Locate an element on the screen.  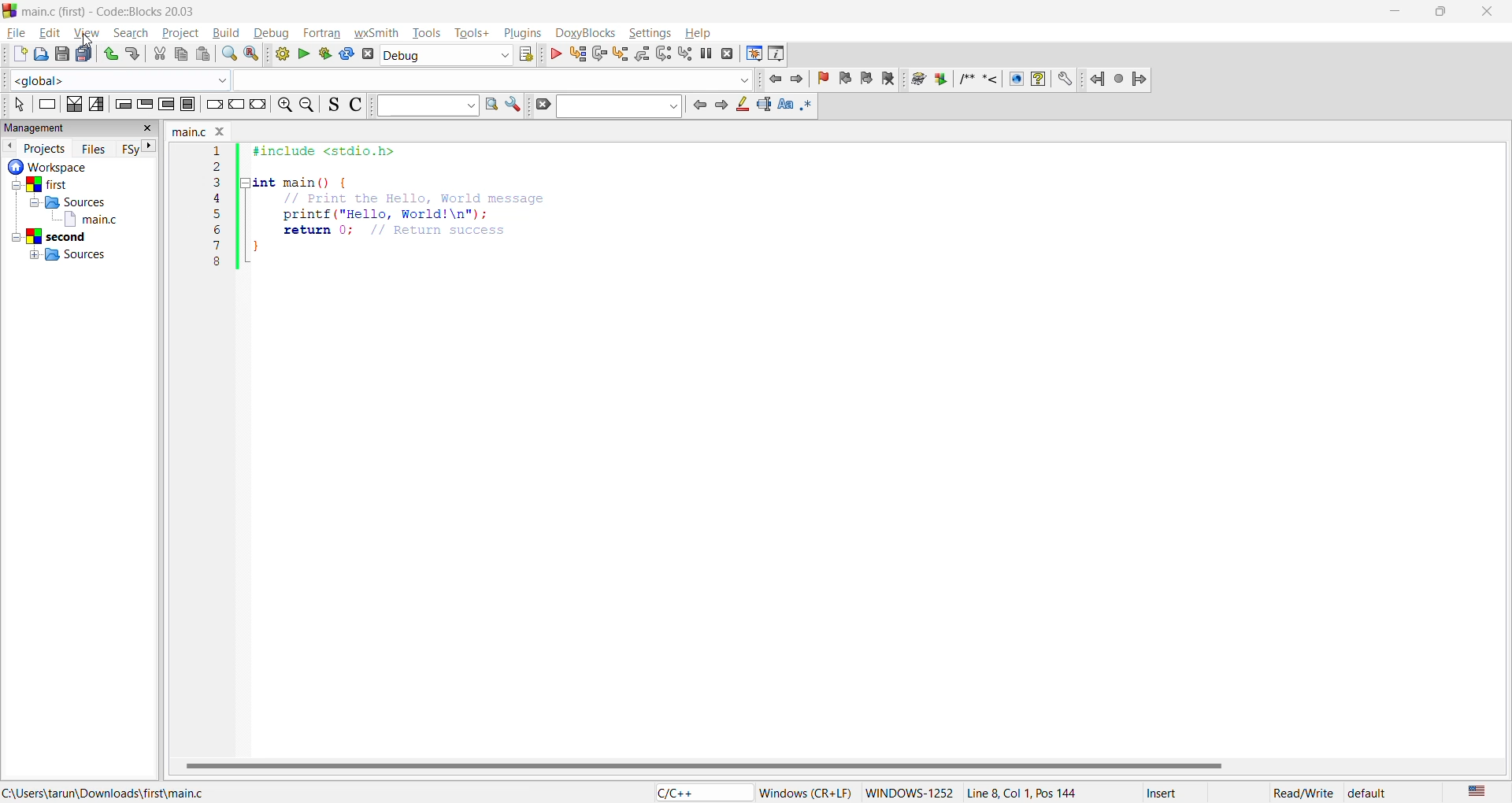
Read/Write is located at coordinates (1303, 794).